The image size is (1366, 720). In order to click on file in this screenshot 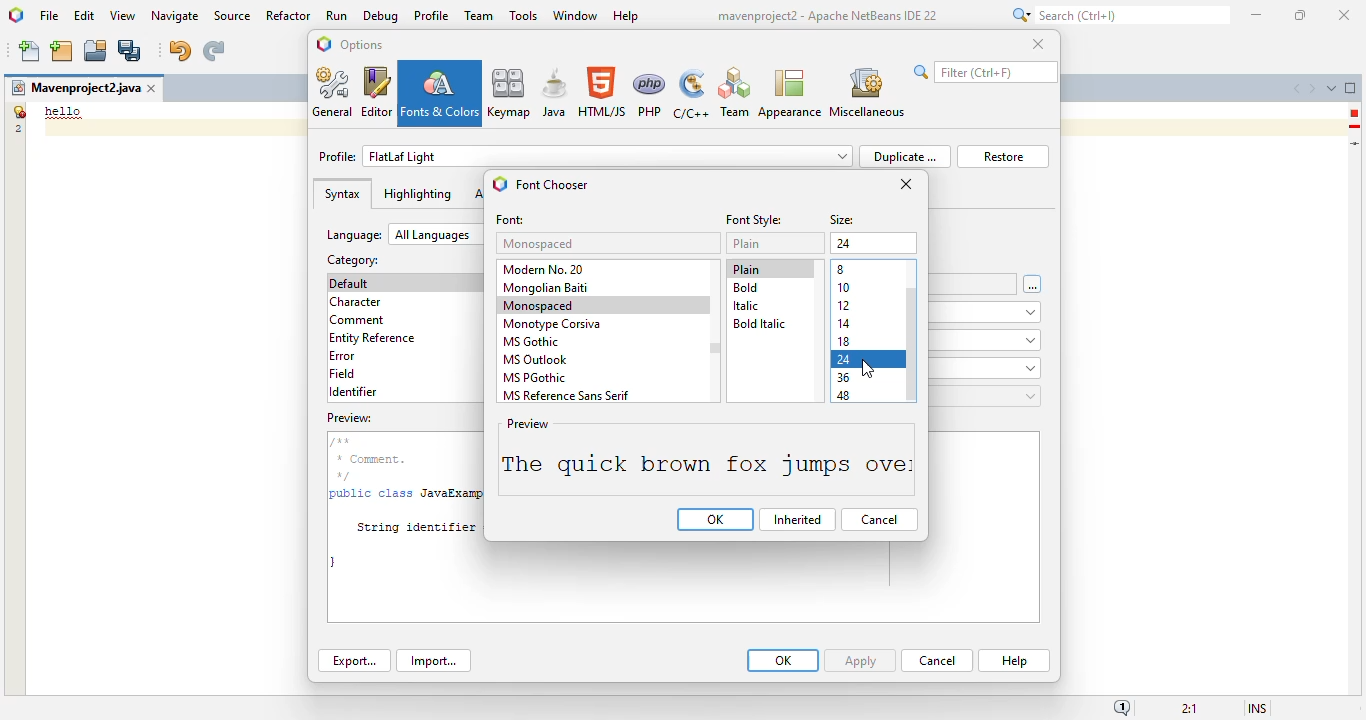, I will do `click(49, 17)`.